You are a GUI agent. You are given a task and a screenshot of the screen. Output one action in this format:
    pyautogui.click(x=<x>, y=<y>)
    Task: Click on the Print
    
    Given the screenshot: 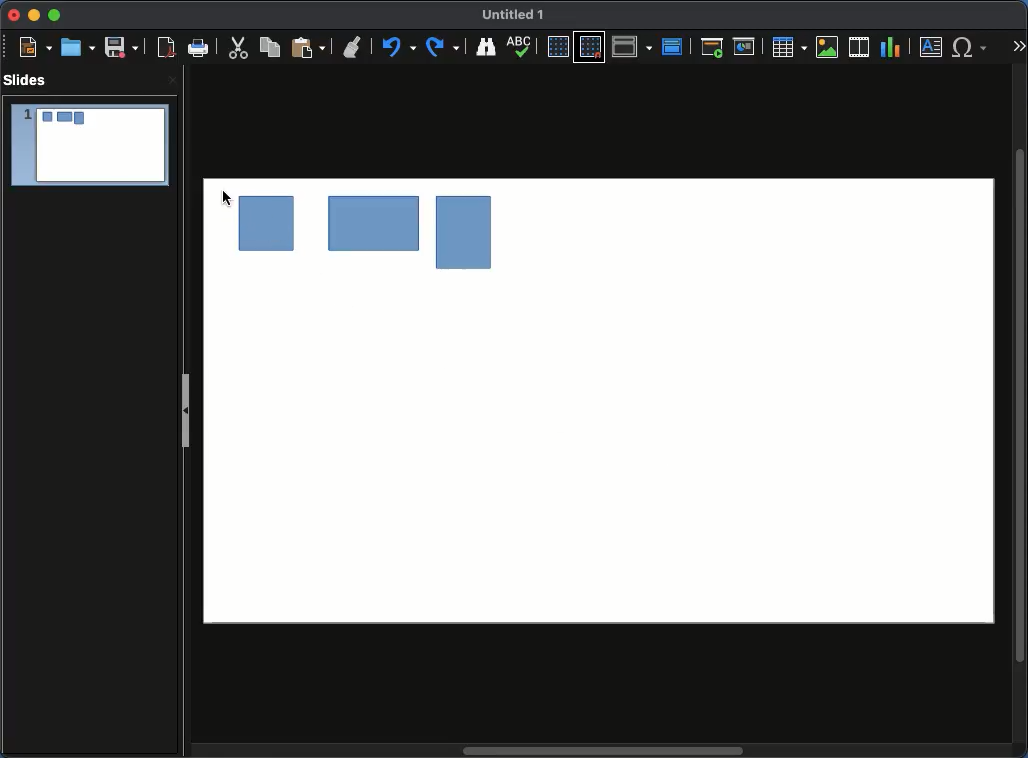 What is the action you would take?
    pyautogui.click(x=200, y=49)
    